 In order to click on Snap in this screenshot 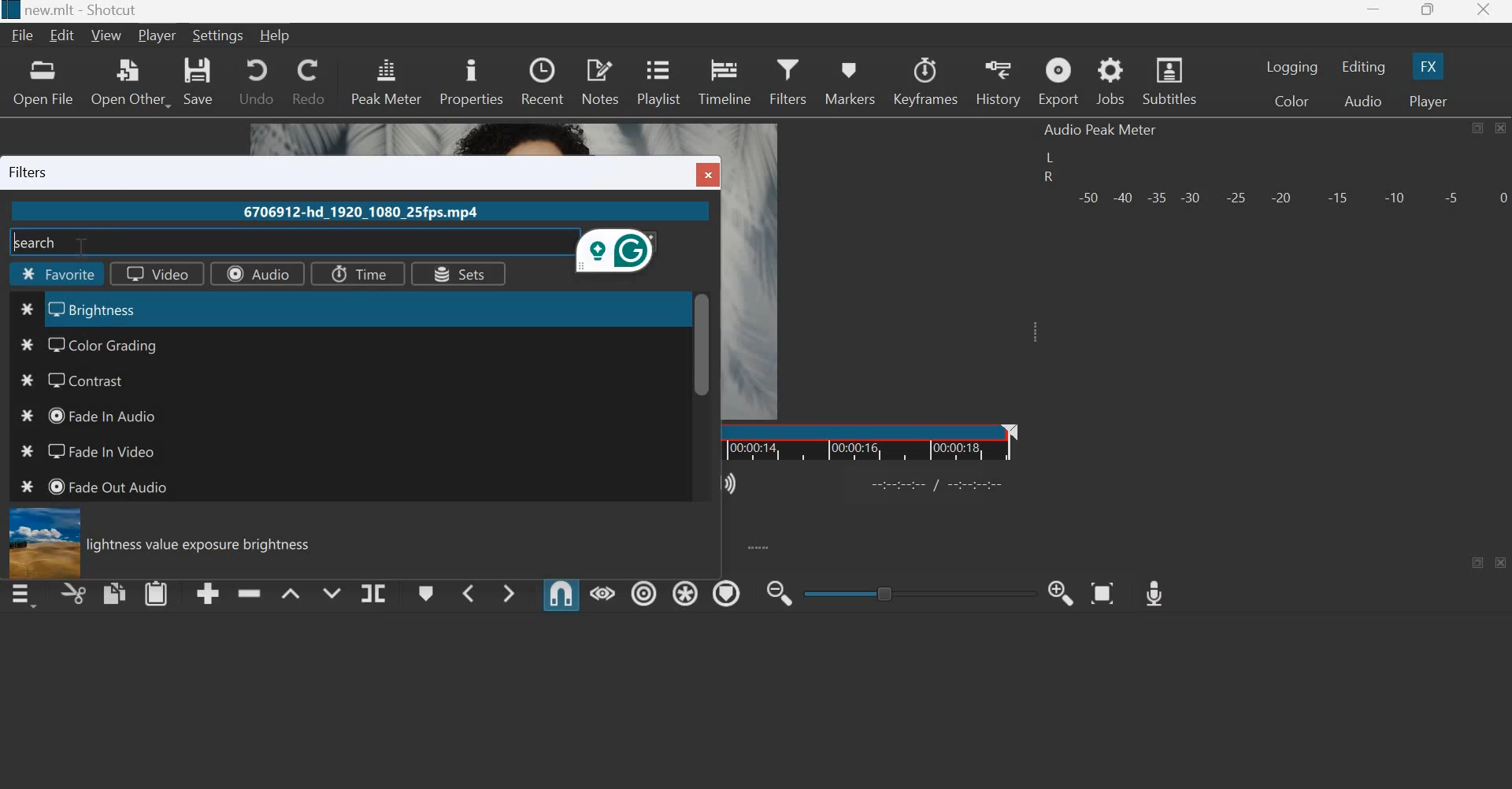, I will do `click(561, 594)`.